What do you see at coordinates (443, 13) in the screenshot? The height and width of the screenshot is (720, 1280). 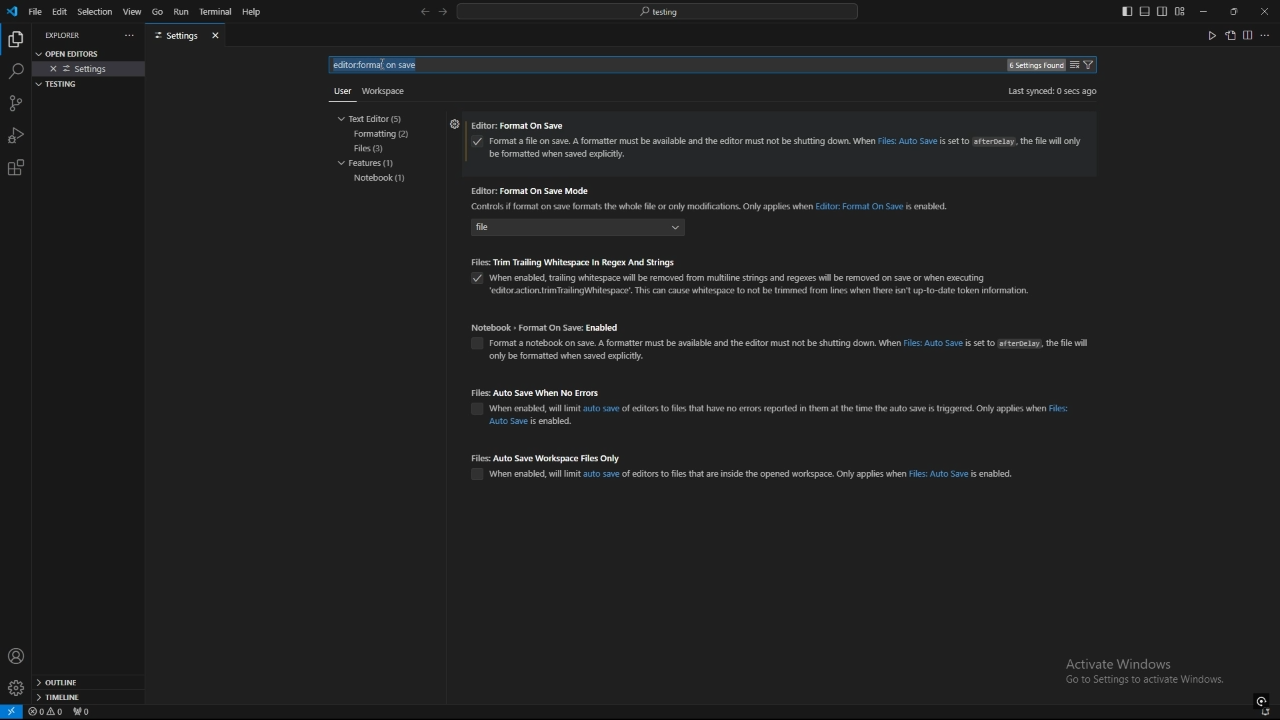 I see `forward` at bounding box center [443, 13].